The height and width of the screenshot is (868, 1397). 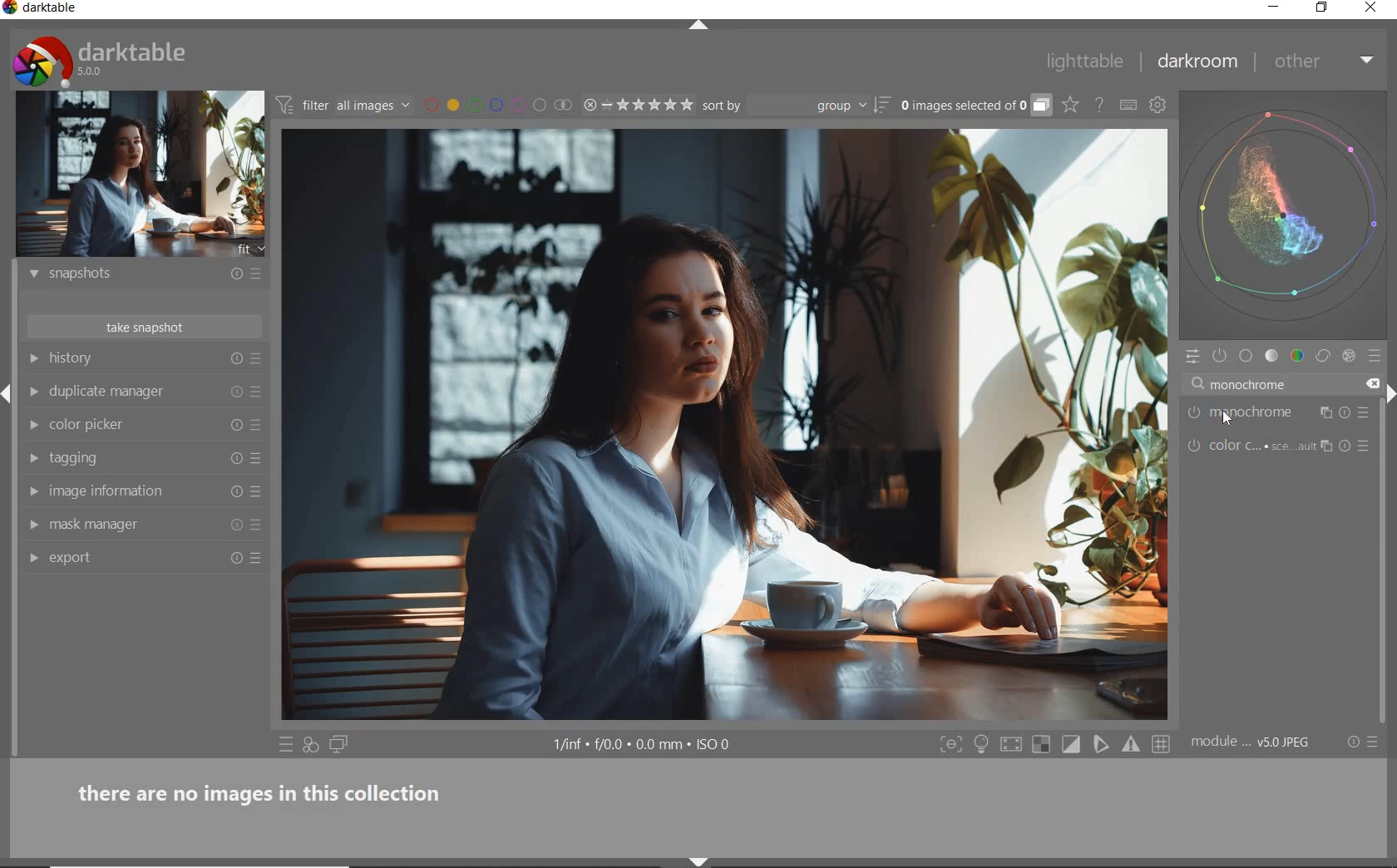 I want to click on shift+ctrl+f, so click(x=951, y=745).